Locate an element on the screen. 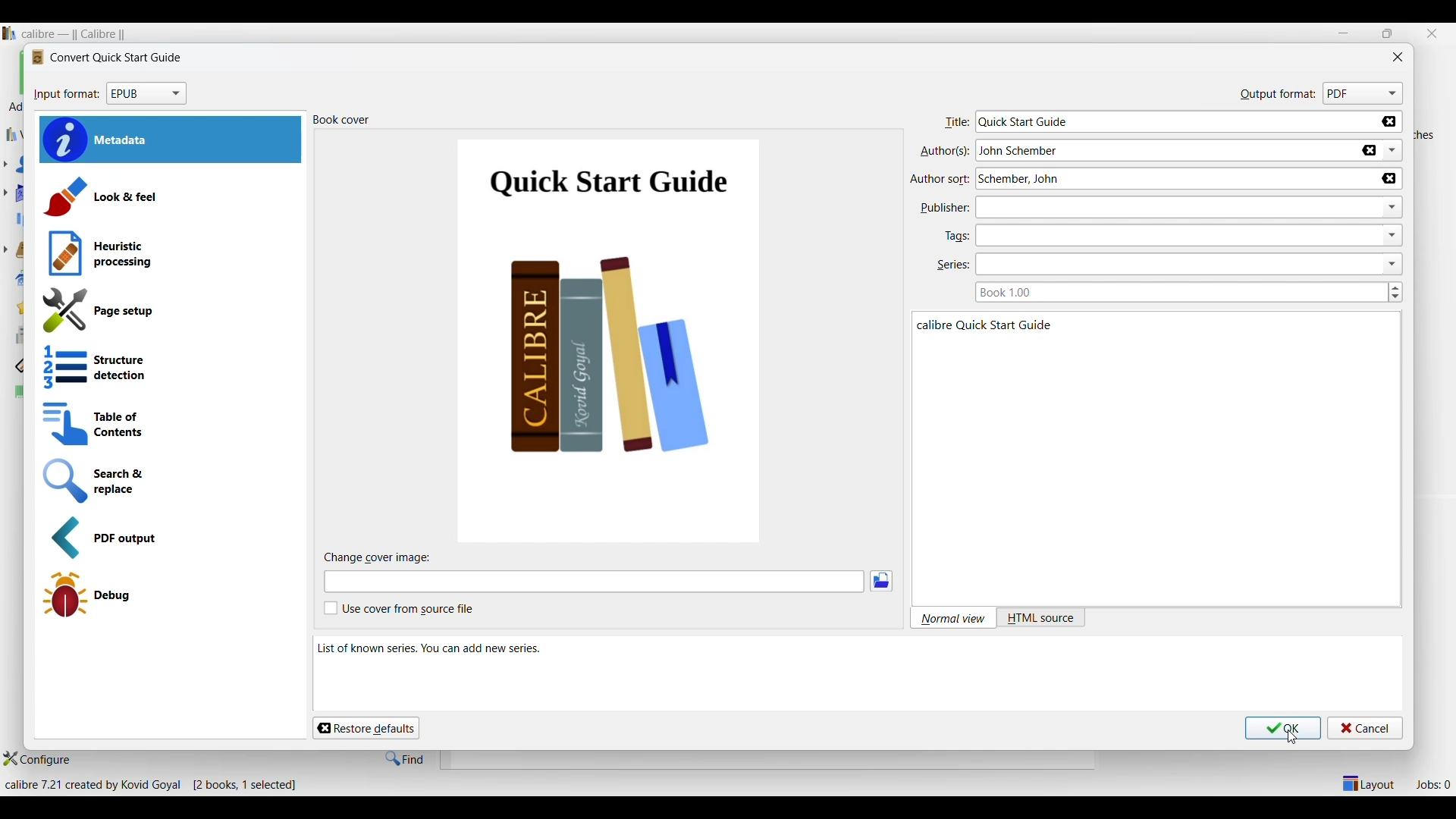  Search and replace is located at coordinates (164, 482).